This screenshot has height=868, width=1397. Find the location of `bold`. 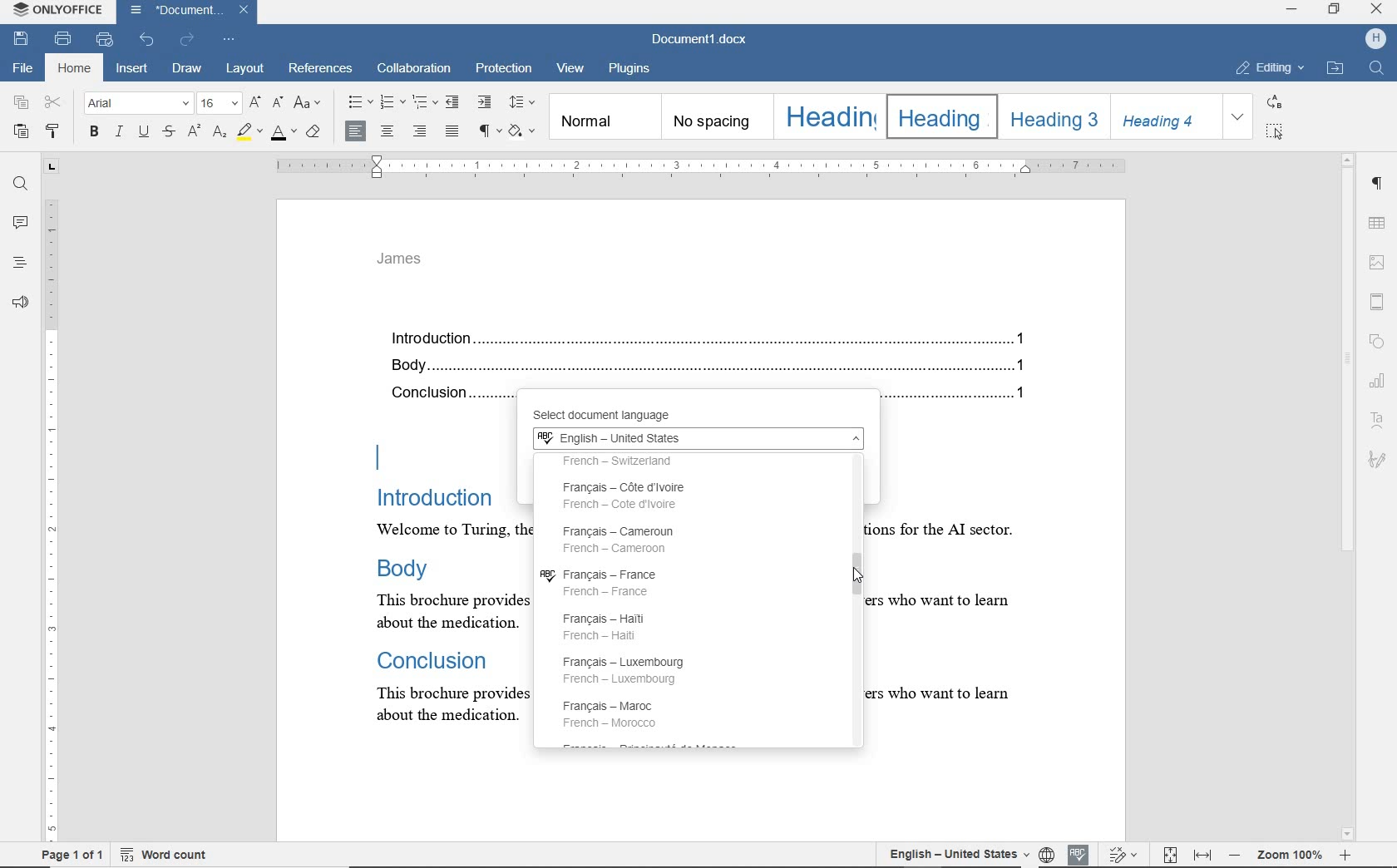

bold is located at coordinates (93, 133).